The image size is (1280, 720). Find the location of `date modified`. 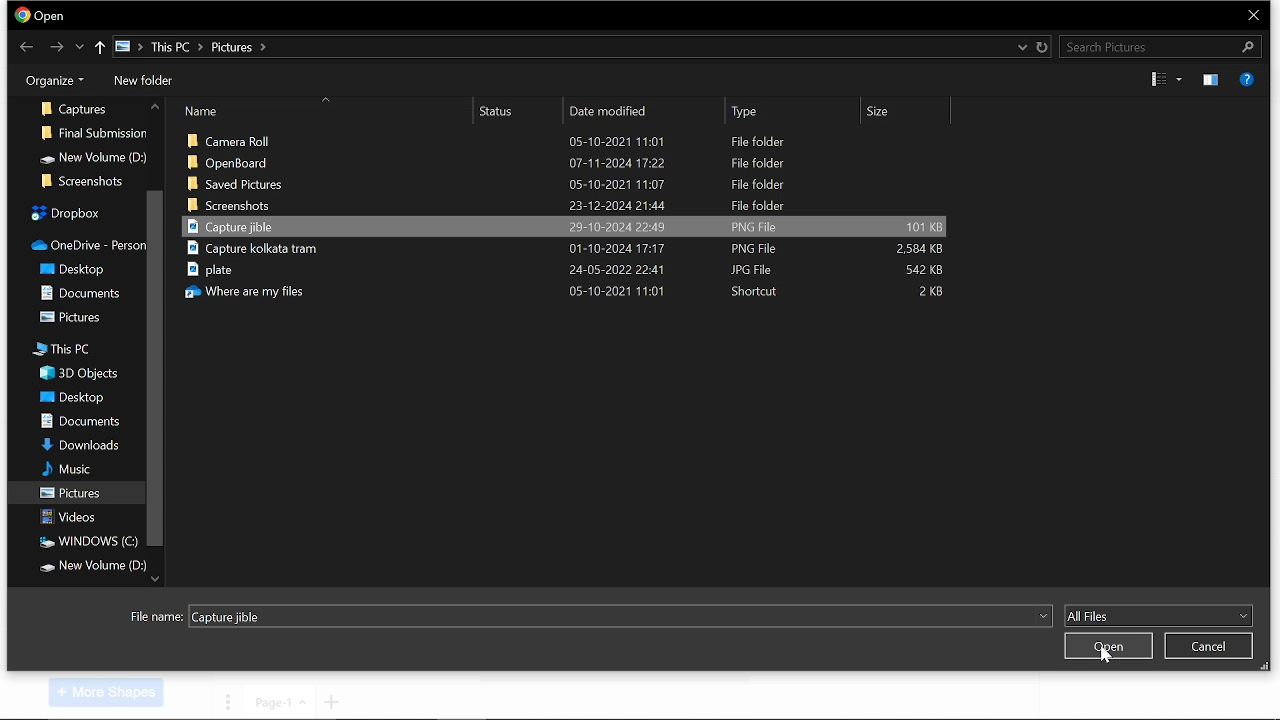

date modified is located at coordinates (647, 112).